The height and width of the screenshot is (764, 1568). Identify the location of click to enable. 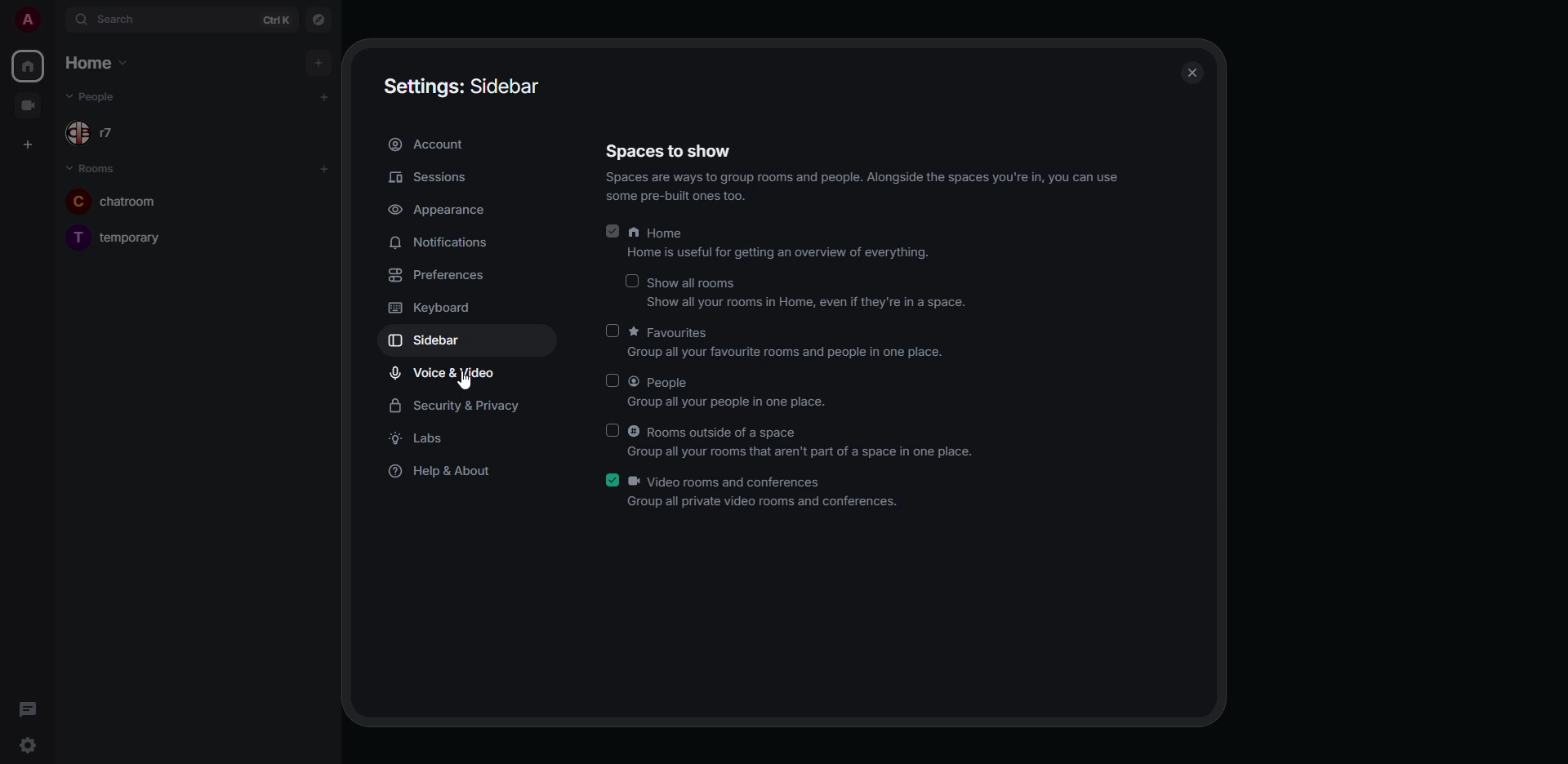
(612, 378).